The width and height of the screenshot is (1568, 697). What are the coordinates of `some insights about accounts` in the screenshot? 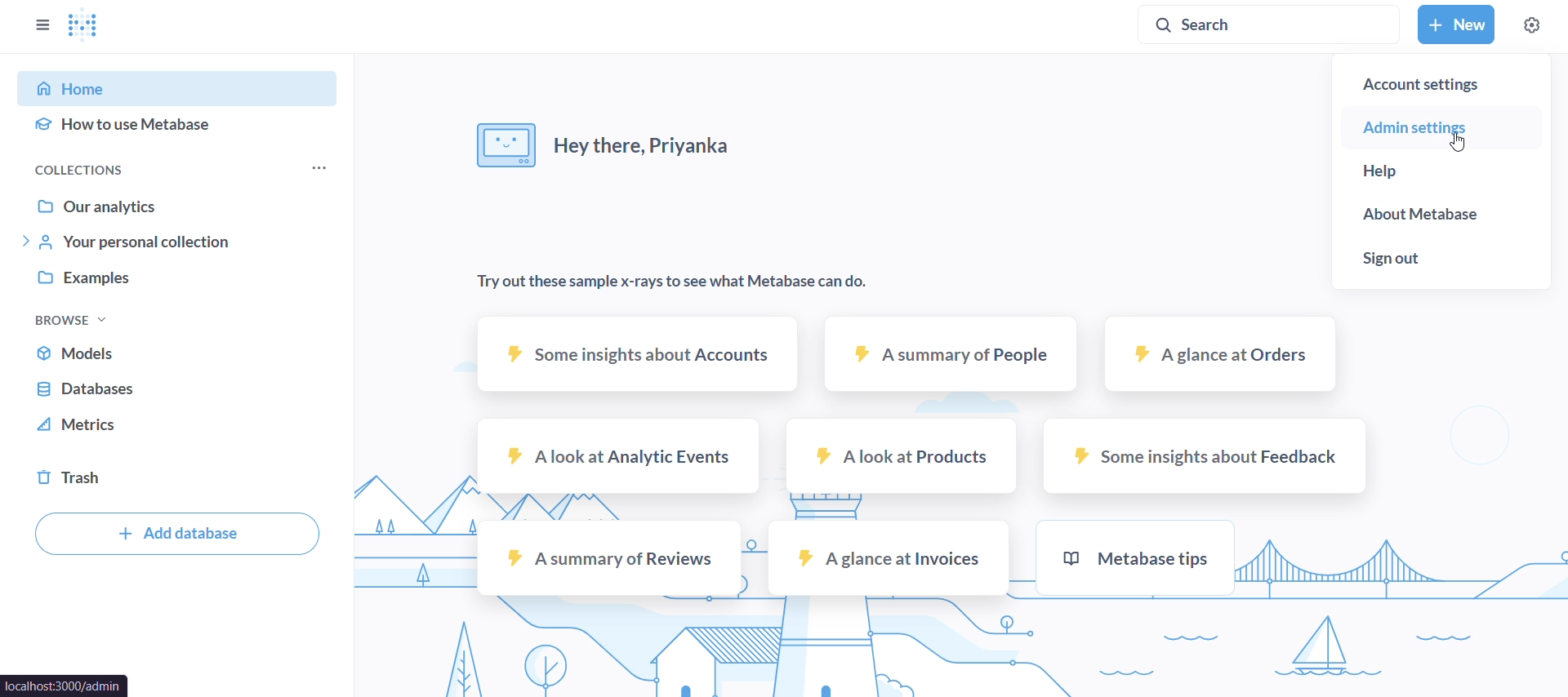 It's located at (637, 351).